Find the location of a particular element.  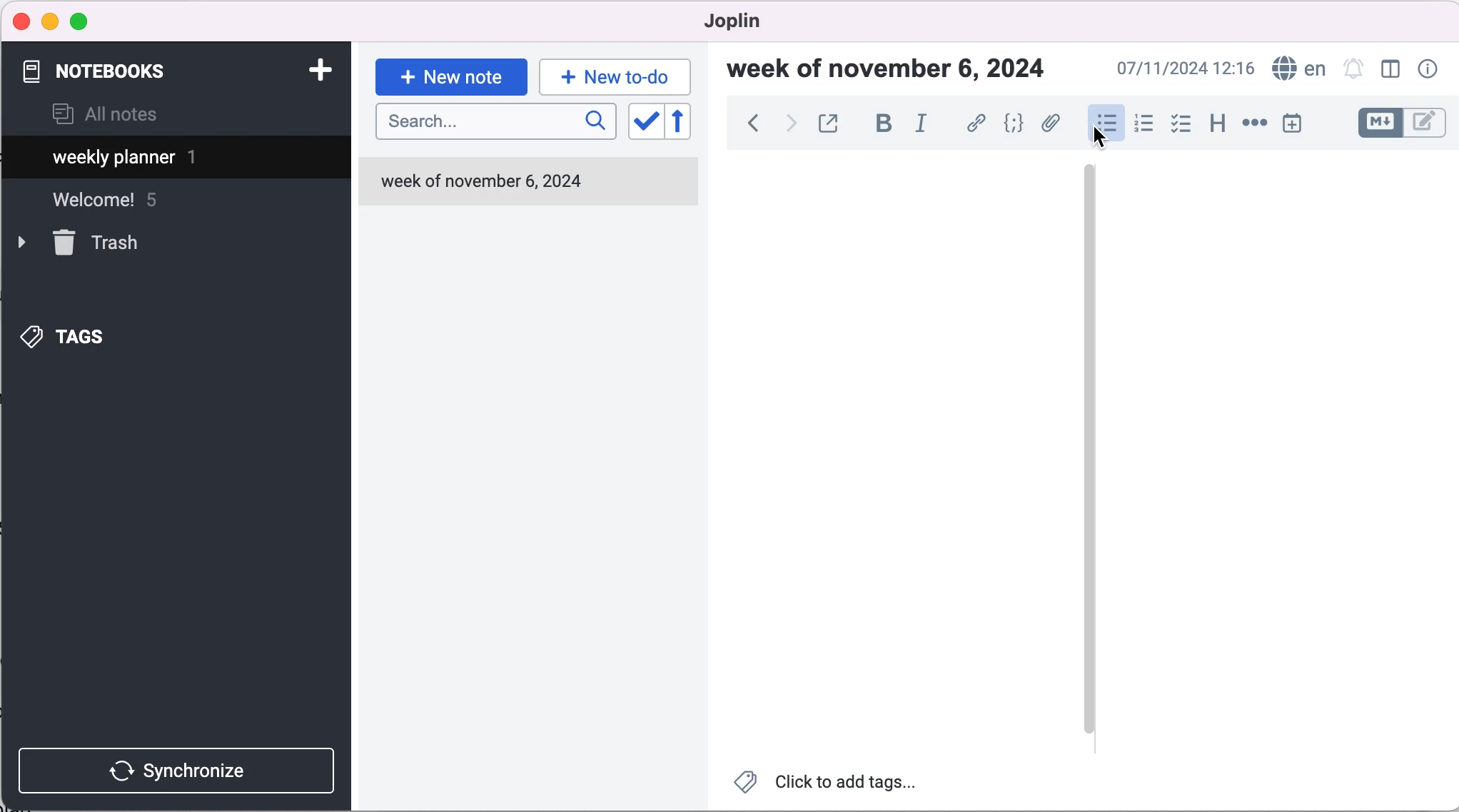

blank canvas is located at coordinates (896, 457).